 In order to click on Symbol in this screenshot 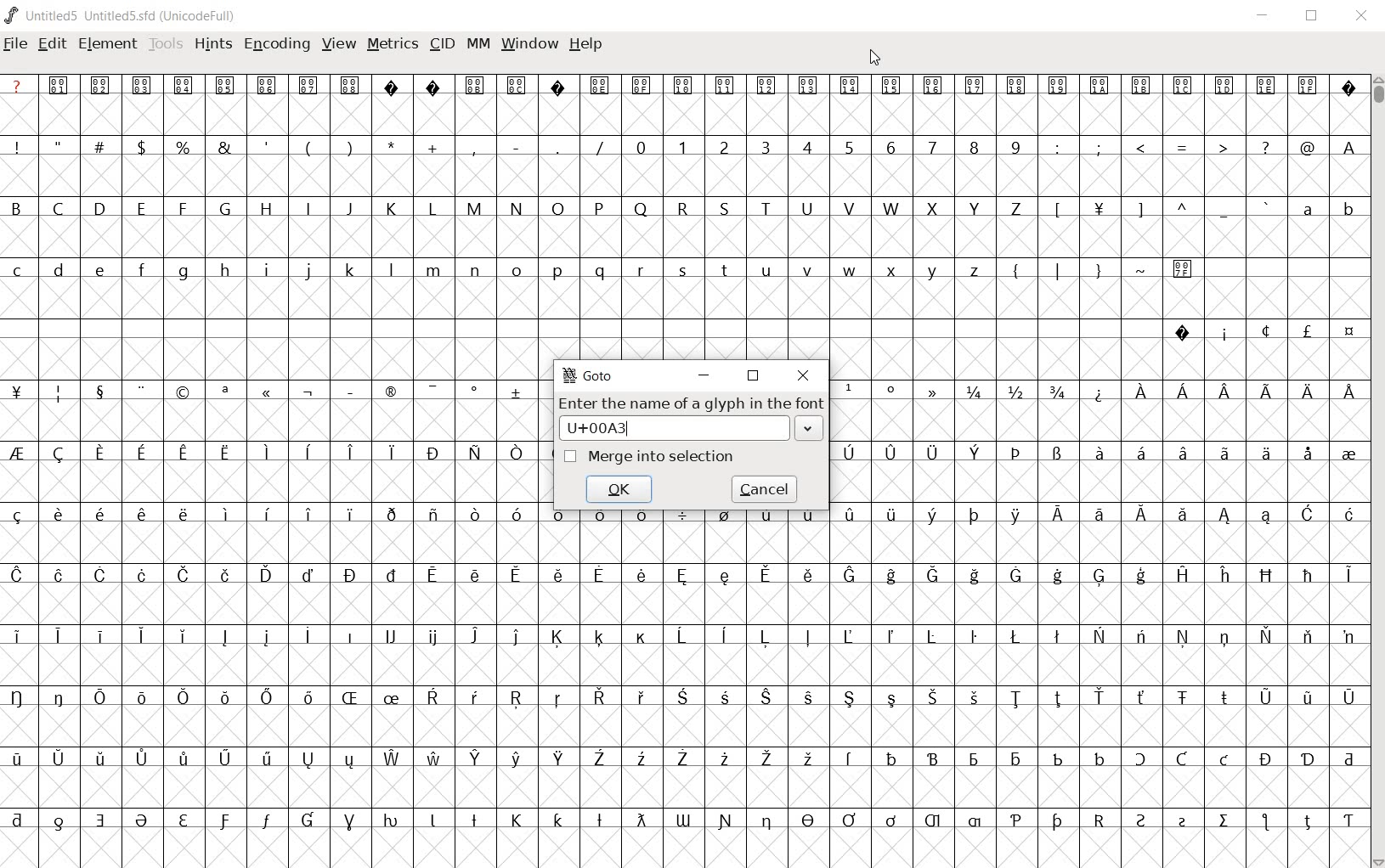, I will do `click(682, 759)`.